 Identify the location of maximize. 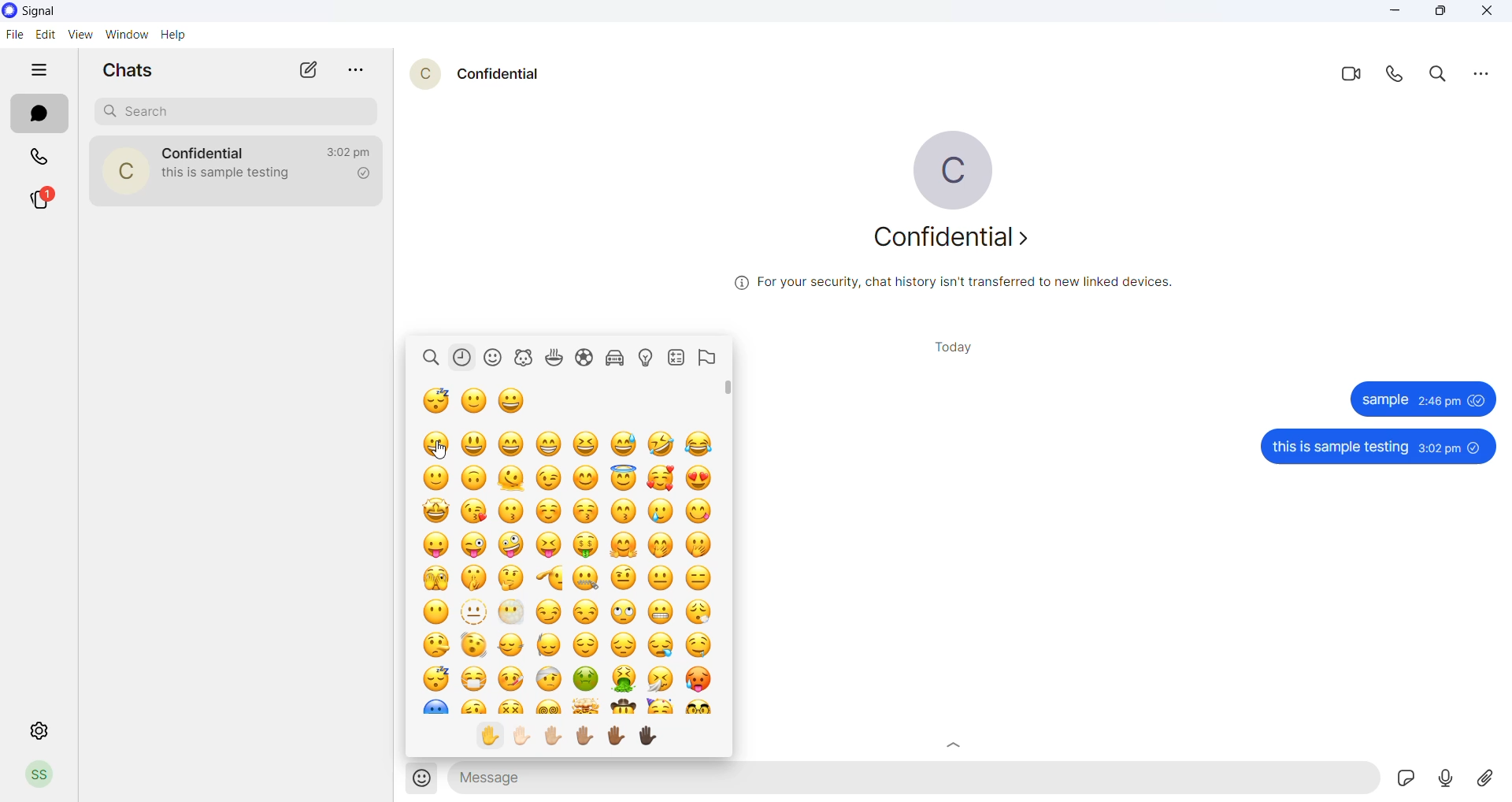
(1437, 13).